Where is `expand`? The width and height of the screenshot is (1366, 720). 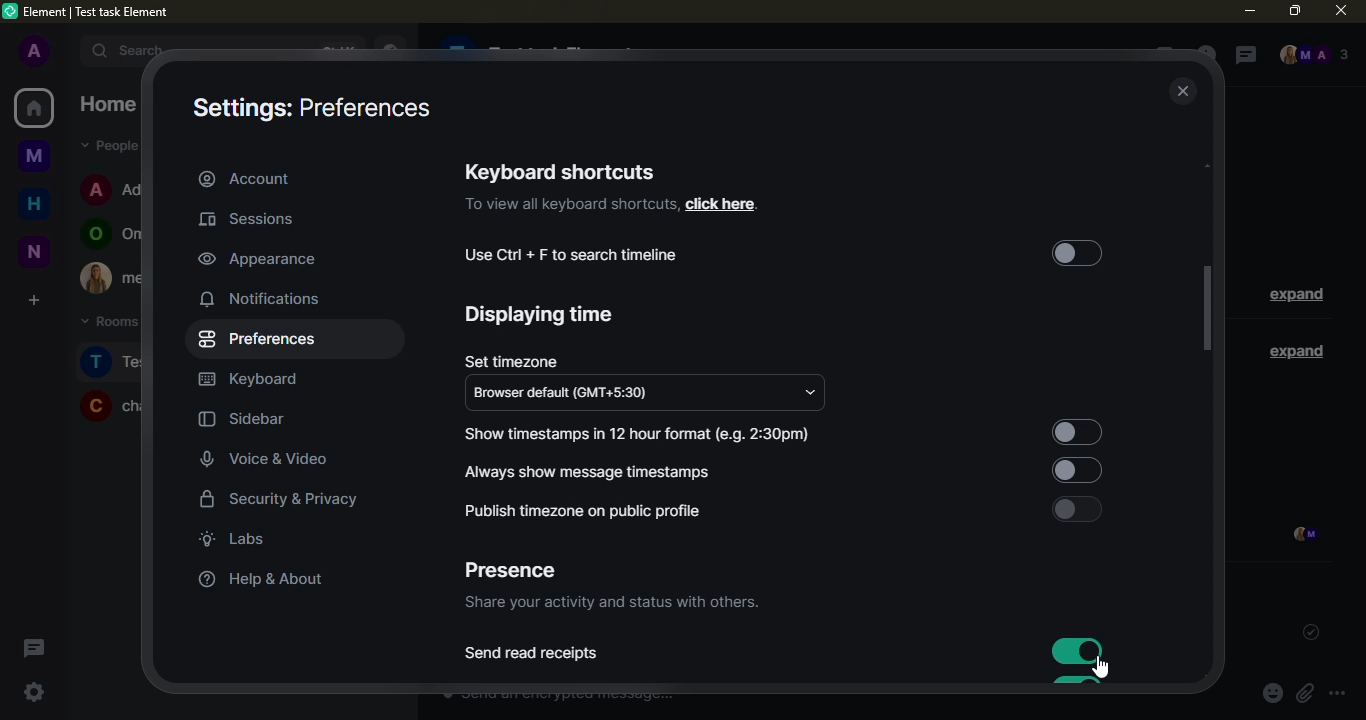
expand is located at coordinates (1296, 296).